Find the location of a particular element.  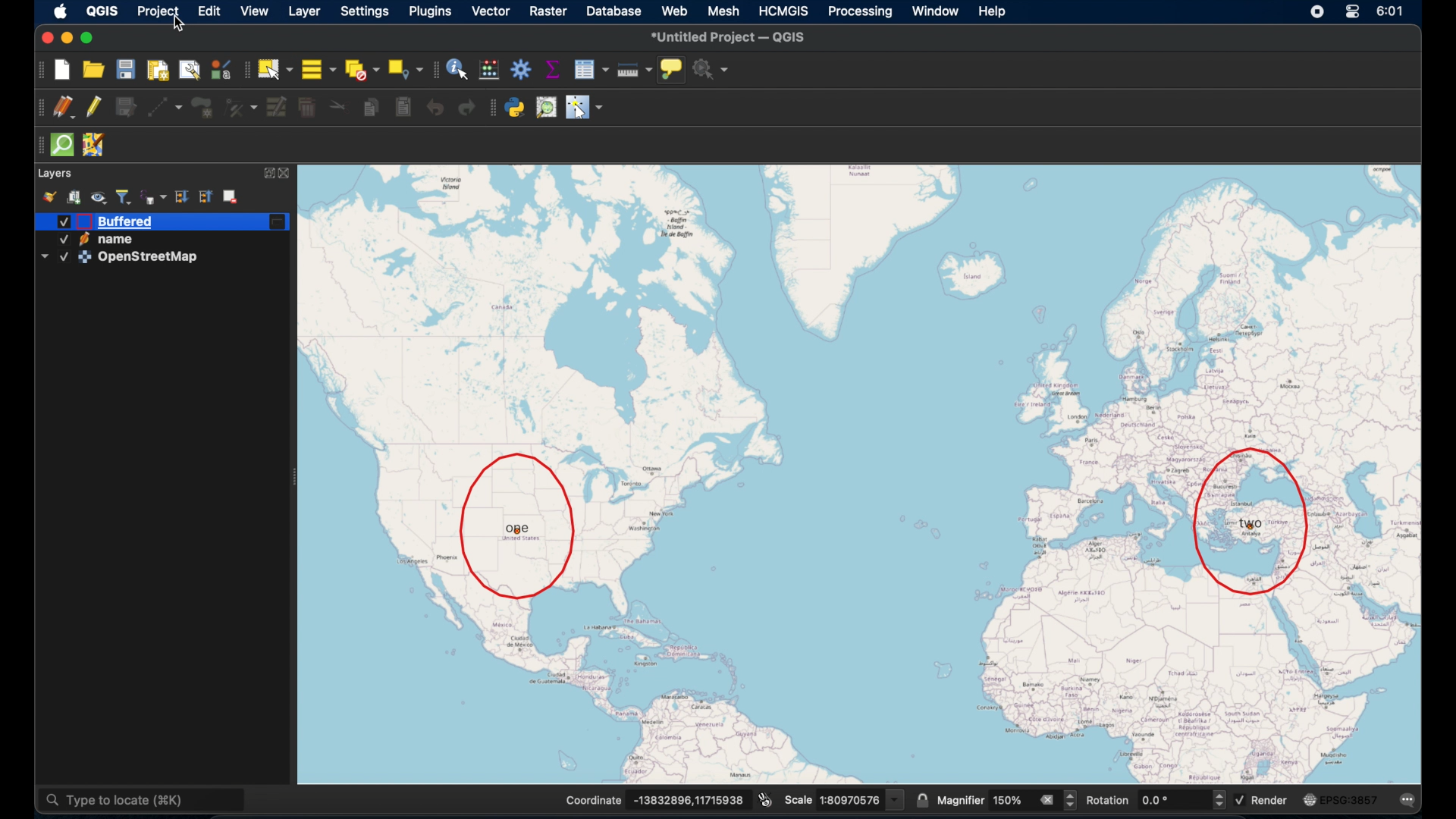

measure line is located at coordinates (633, 68).